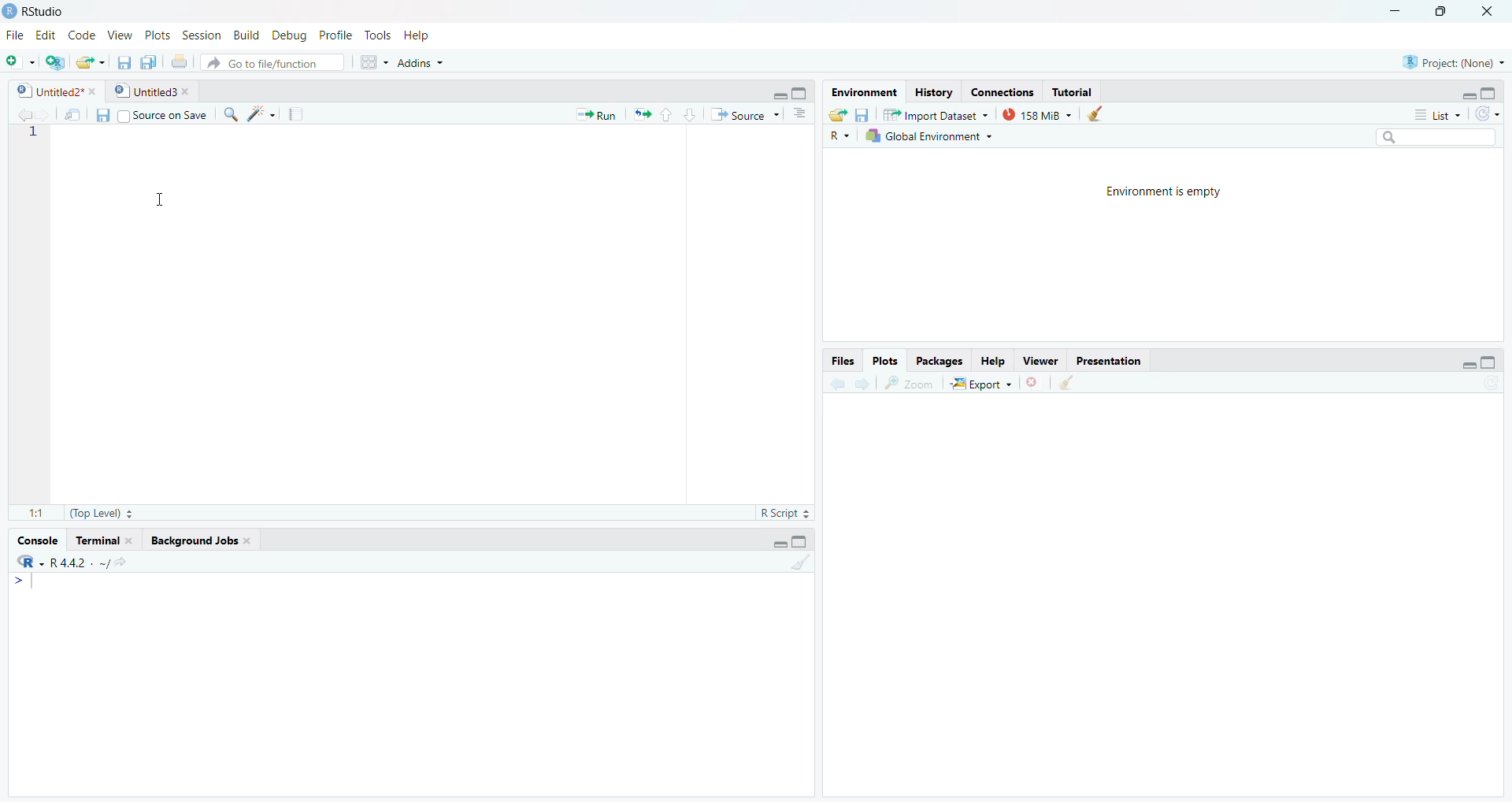  What do you see at coordinates (120, 32) in the screenshot?
I see `View` at bounding box center [120, 32].